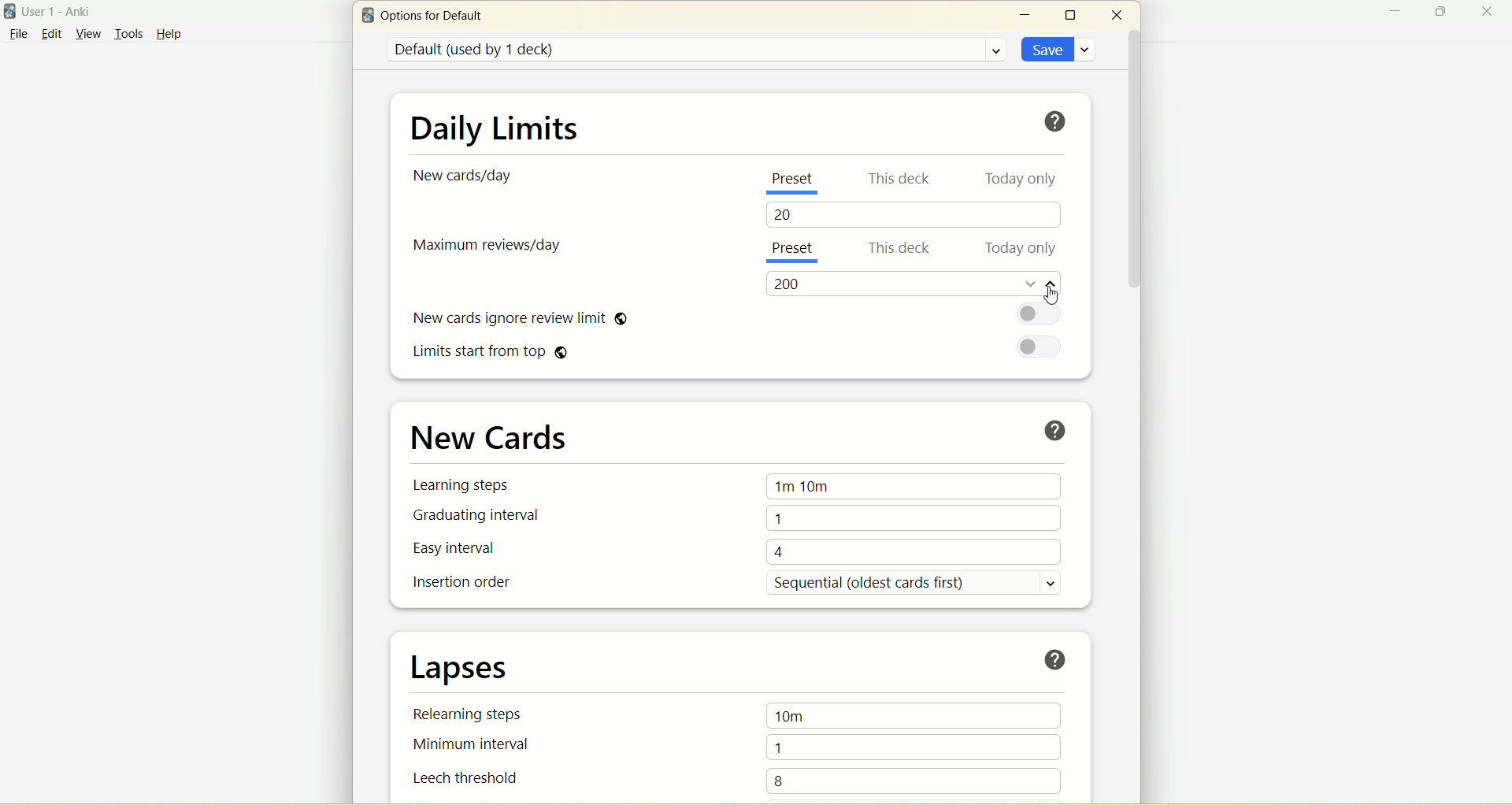  I want to click on graduating interval, so click(478, 515).